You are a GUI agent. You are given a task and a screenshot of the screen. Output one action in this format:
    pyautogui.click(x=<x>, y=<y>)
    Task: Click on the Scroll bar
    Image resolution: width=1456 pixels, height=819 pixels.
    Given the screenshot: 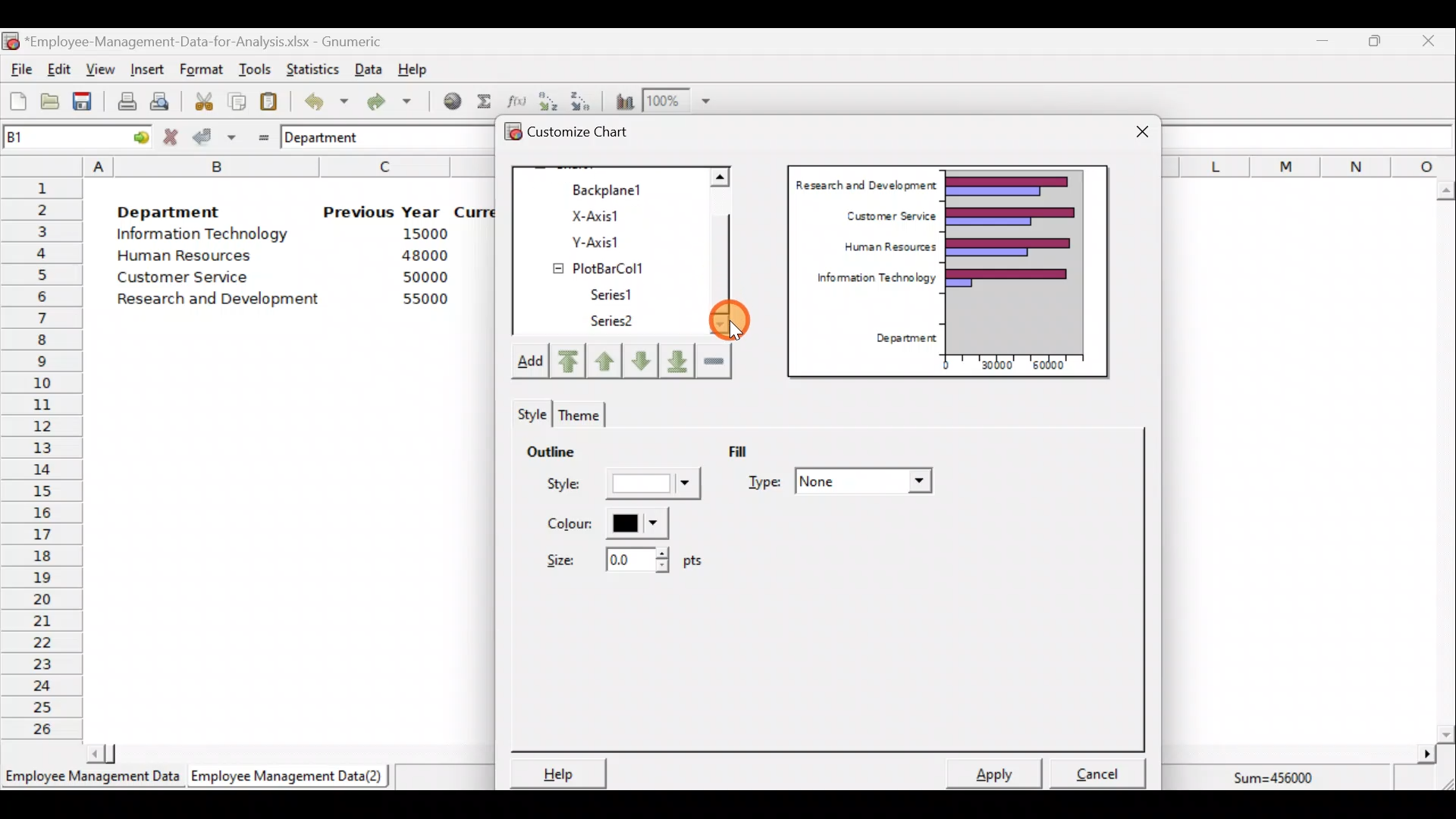 What is the action you would take?
    pyautogui.click(x=283, y=752)
    